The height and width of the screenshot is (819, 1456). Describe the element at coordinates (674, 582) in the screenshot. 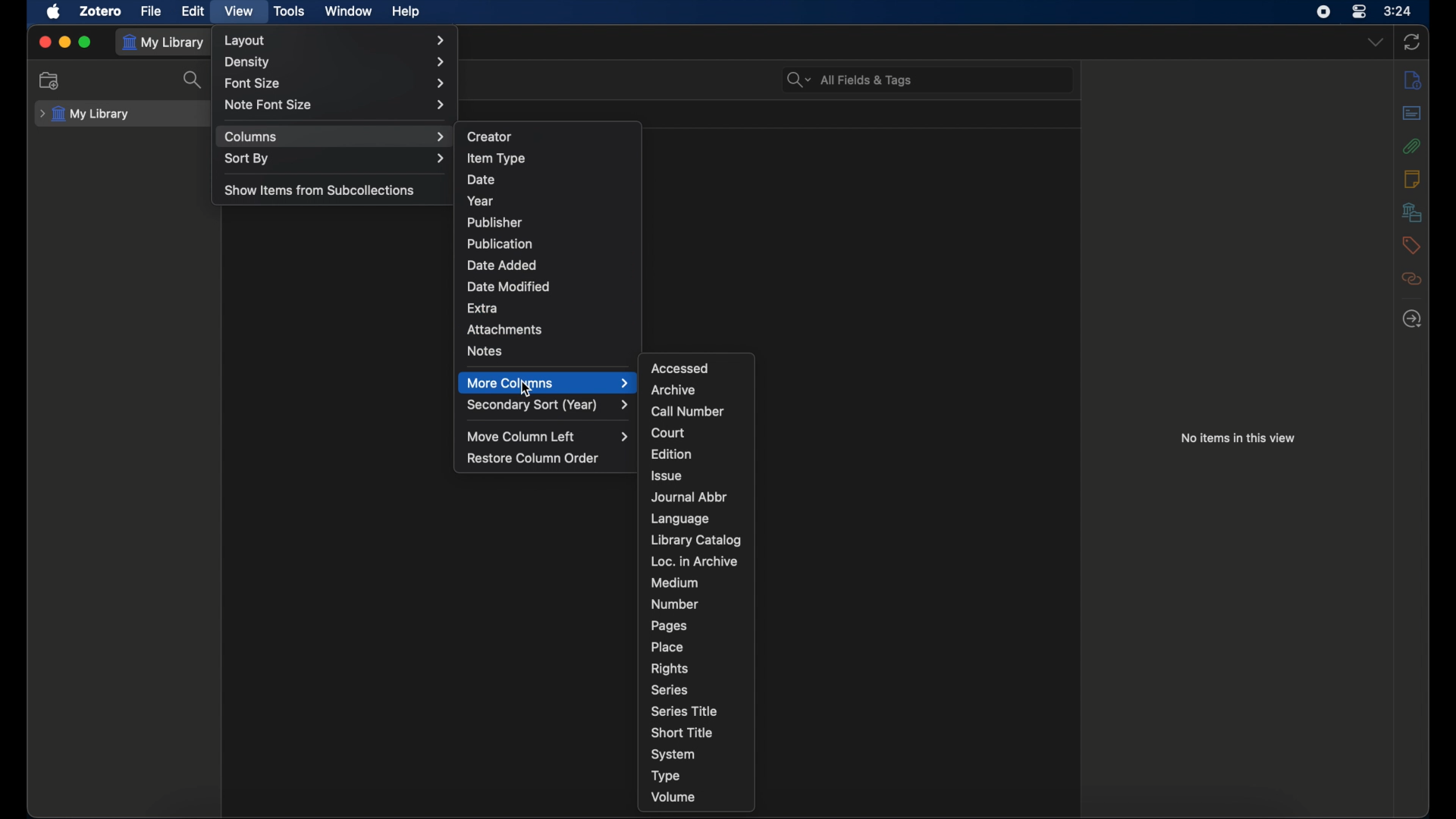

I see `medium` at that location.